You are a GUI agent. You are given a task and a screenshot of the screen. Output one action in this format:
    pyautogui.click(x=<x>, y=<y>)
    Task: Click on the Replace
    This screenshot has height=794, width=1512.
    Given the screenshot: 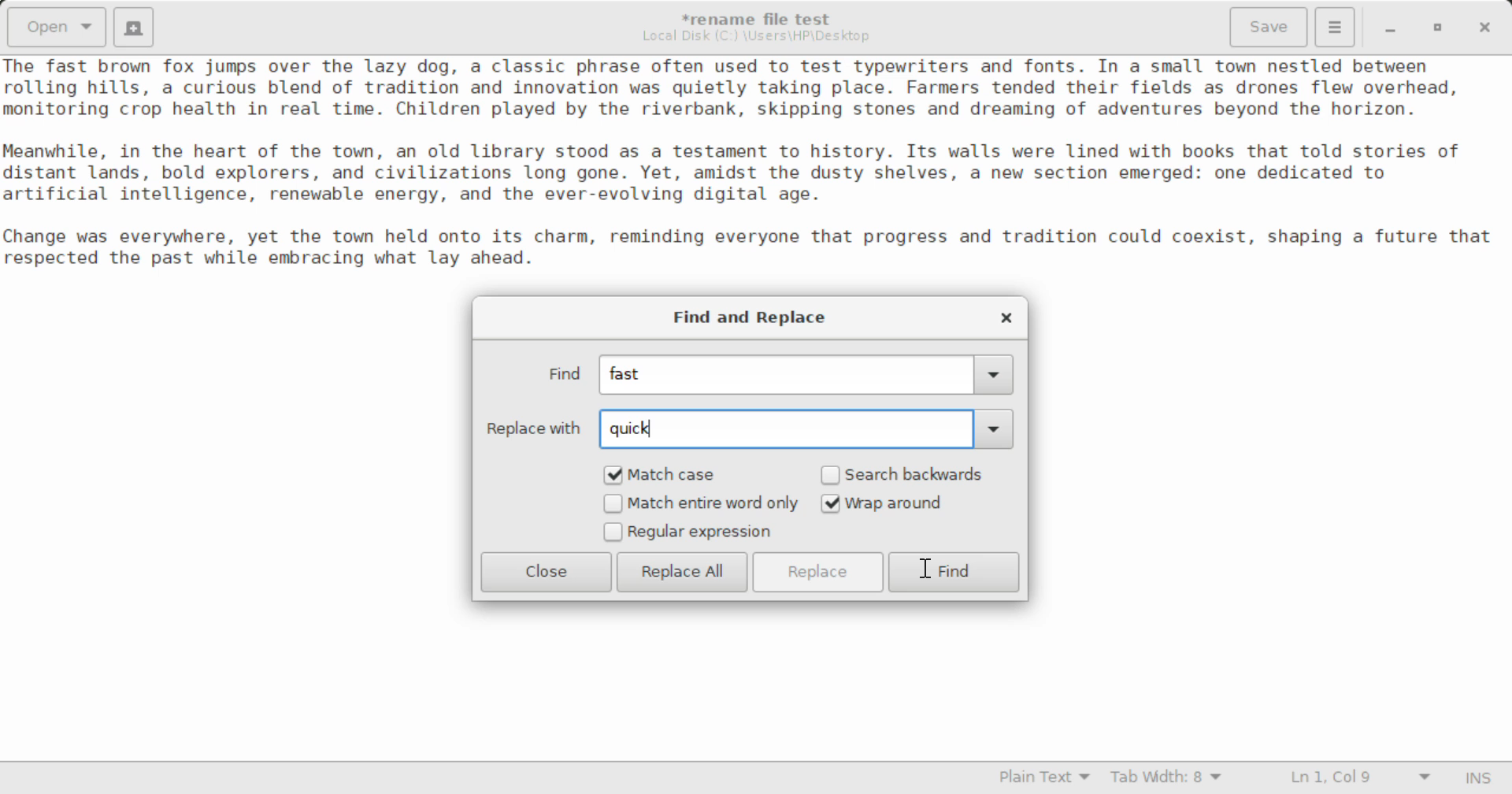 What is the action you would take?
    pyautogui.click(x=821, y=572)
    